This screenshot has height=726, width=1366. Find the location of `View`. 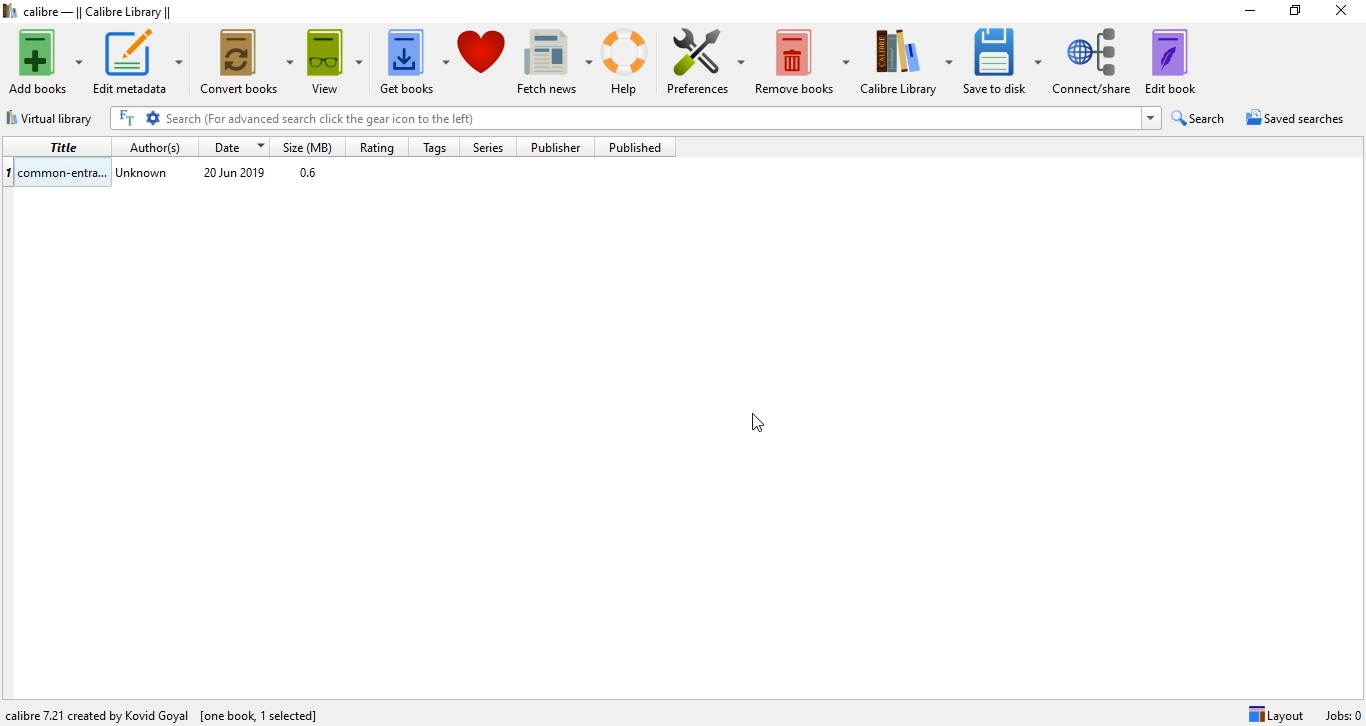

View is located at coordinates (332, 57).